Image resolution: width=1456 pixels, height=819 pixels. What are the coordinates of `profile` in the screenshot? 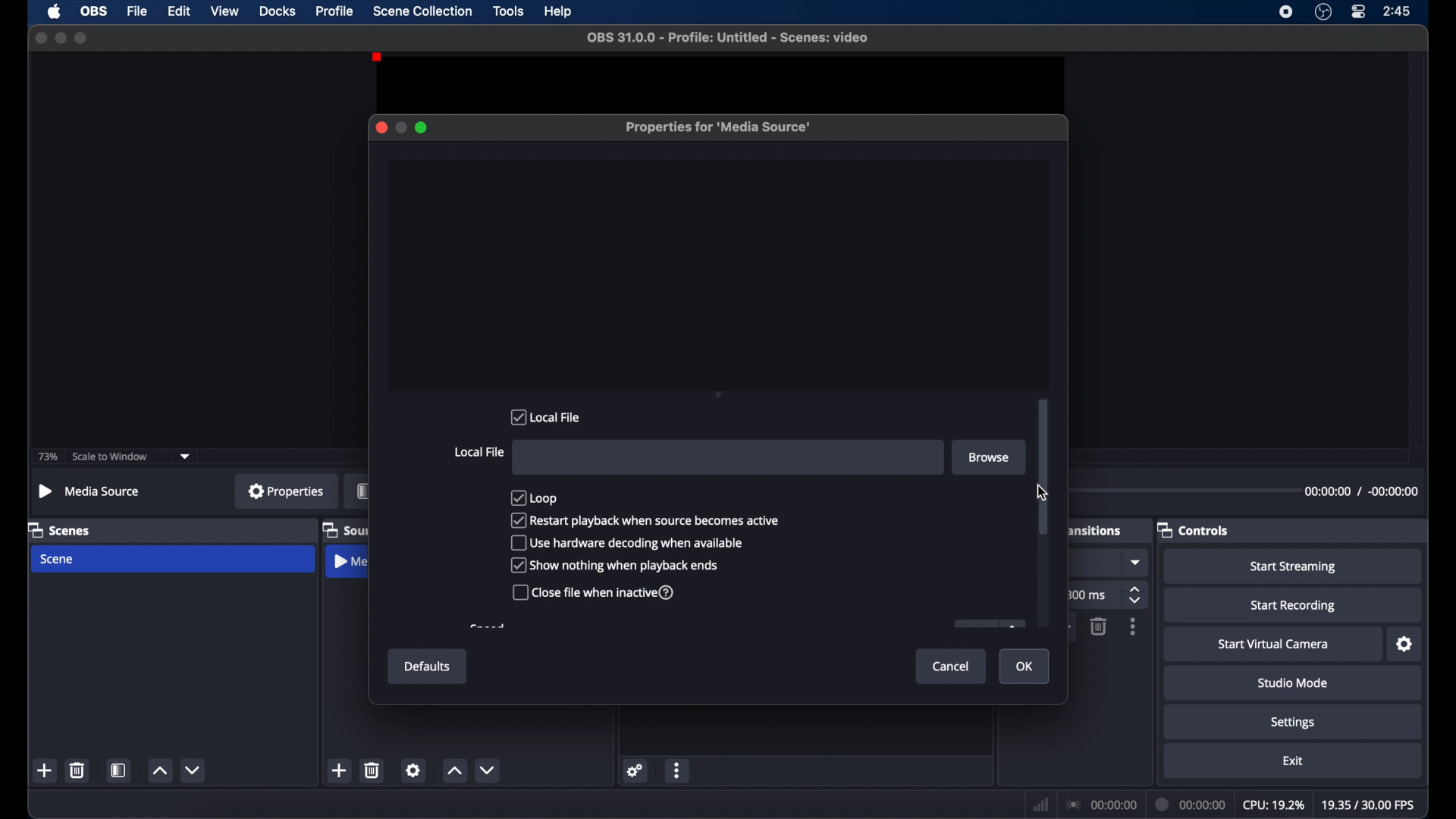 It's located at (336, 11).